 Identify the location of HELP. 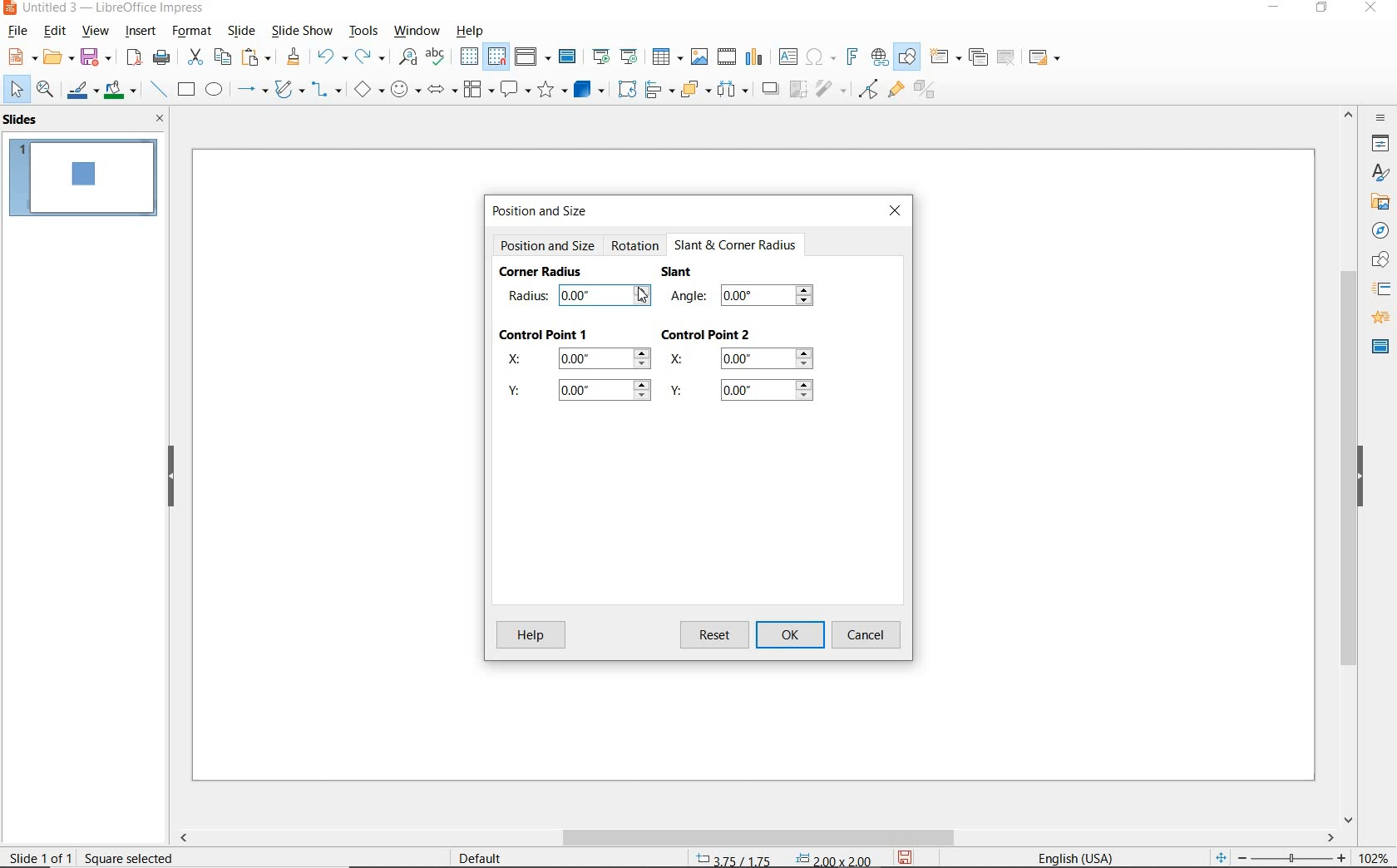
(531, 635).